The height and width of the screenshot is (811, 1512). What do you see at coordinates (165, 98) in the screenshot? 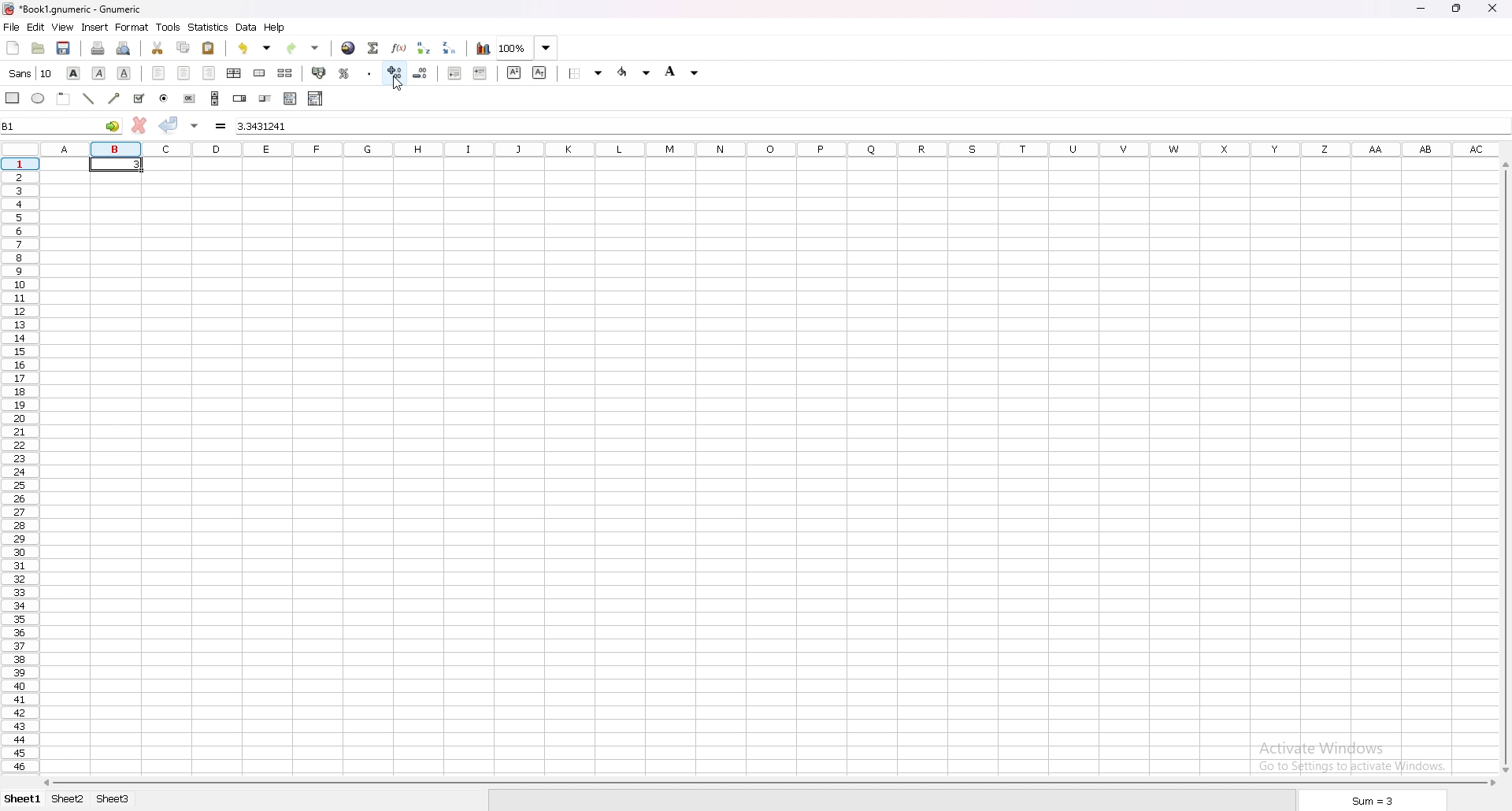
I see `radio button` at bounding box center [165, 98].